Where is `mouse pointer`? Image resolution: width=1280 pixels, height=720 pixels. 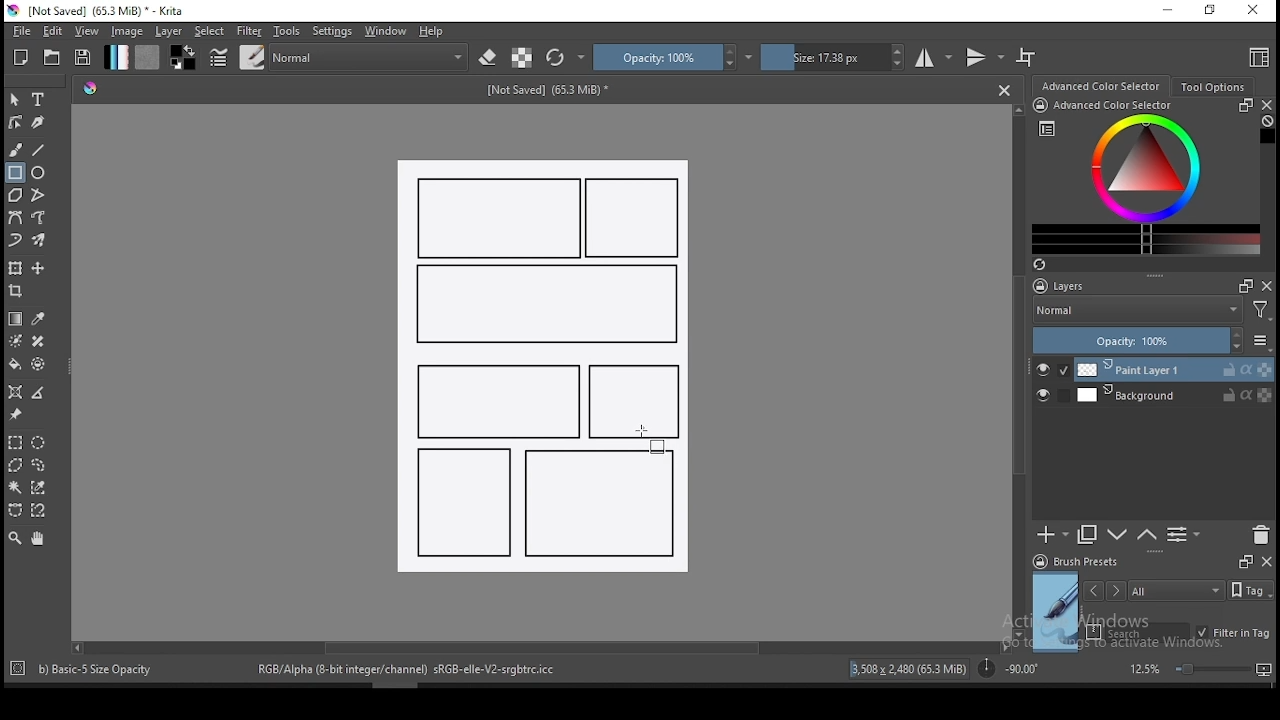 mouse pointer is located at coordinates (645, 432).